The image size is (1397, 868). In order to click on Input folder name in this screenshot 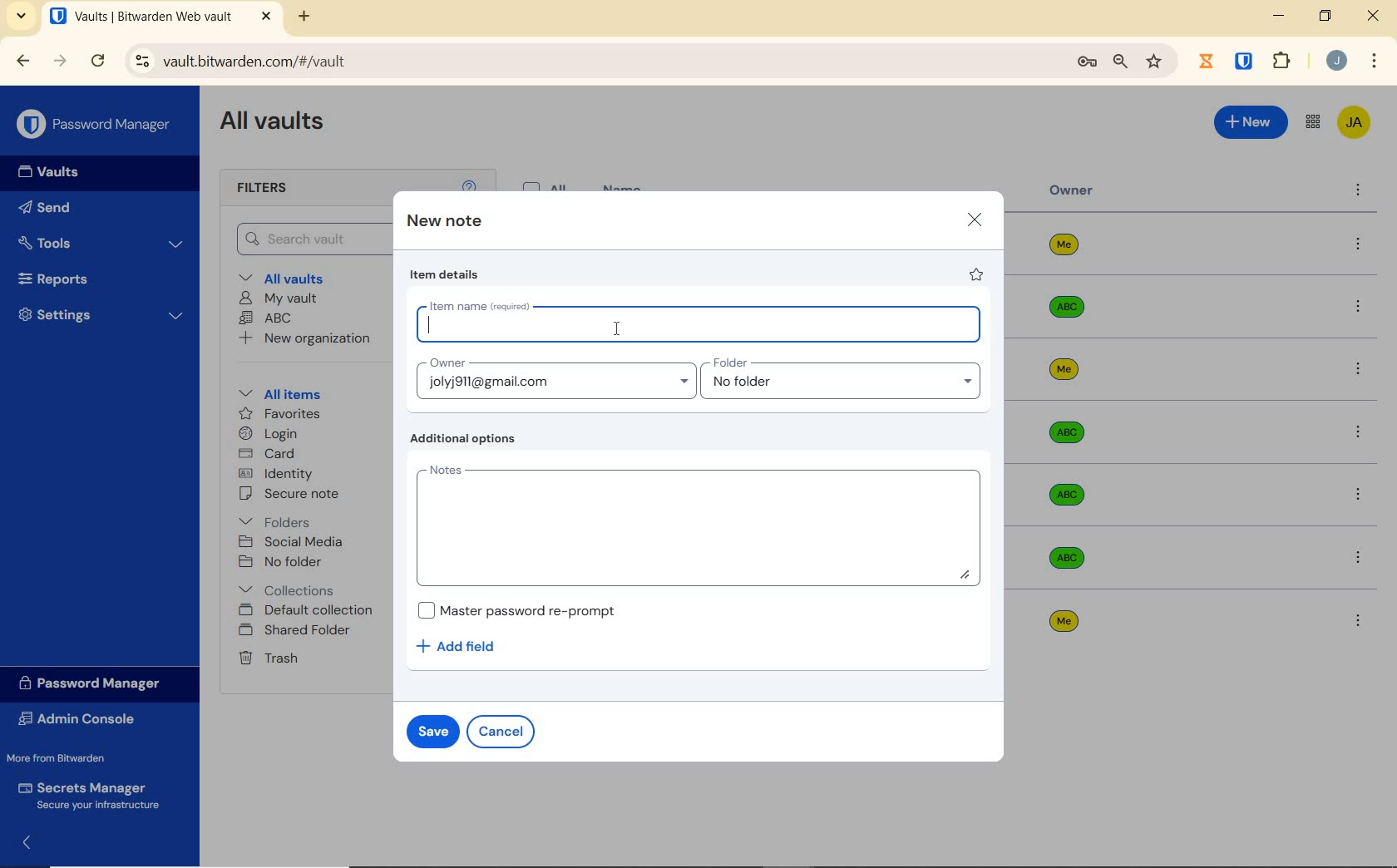, I will do `click(844, 379)`.